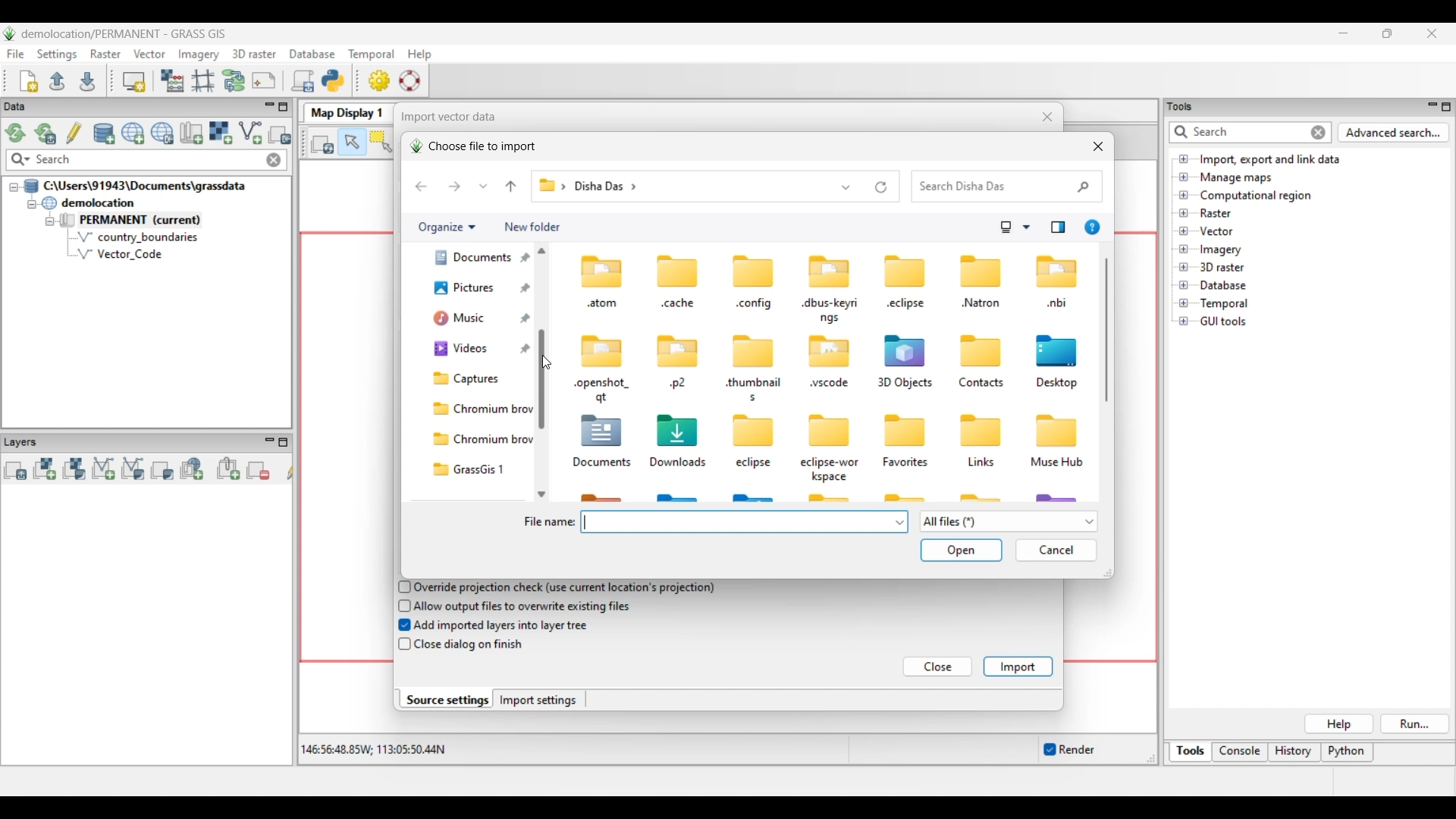 Image resolution: width=1456 pixels, height=819 pixels. I want to click on Add various overlays, so click(162, 470).